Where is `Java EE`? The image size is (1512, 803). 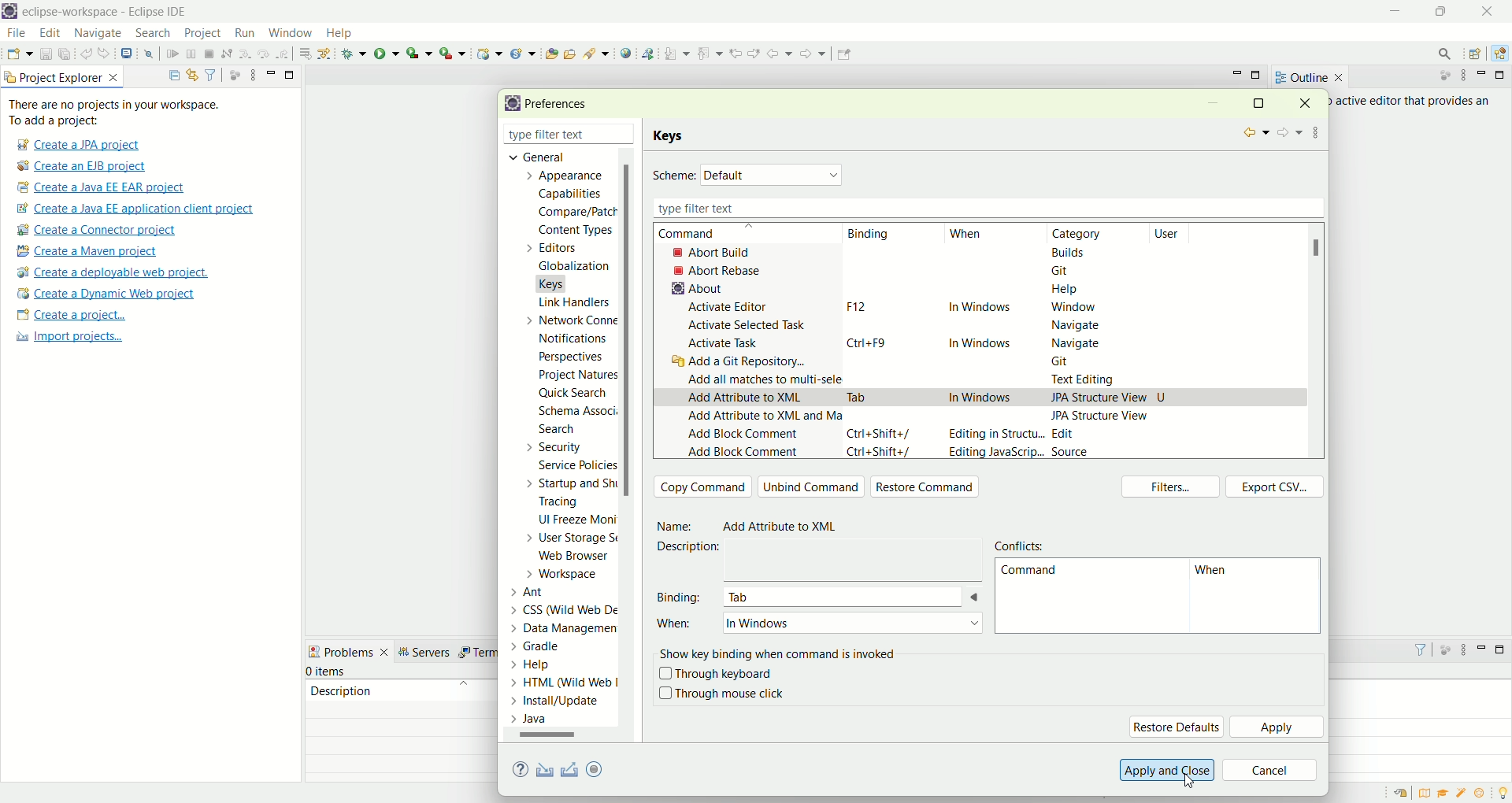 Java EE is located at coordinates (1503, 54).